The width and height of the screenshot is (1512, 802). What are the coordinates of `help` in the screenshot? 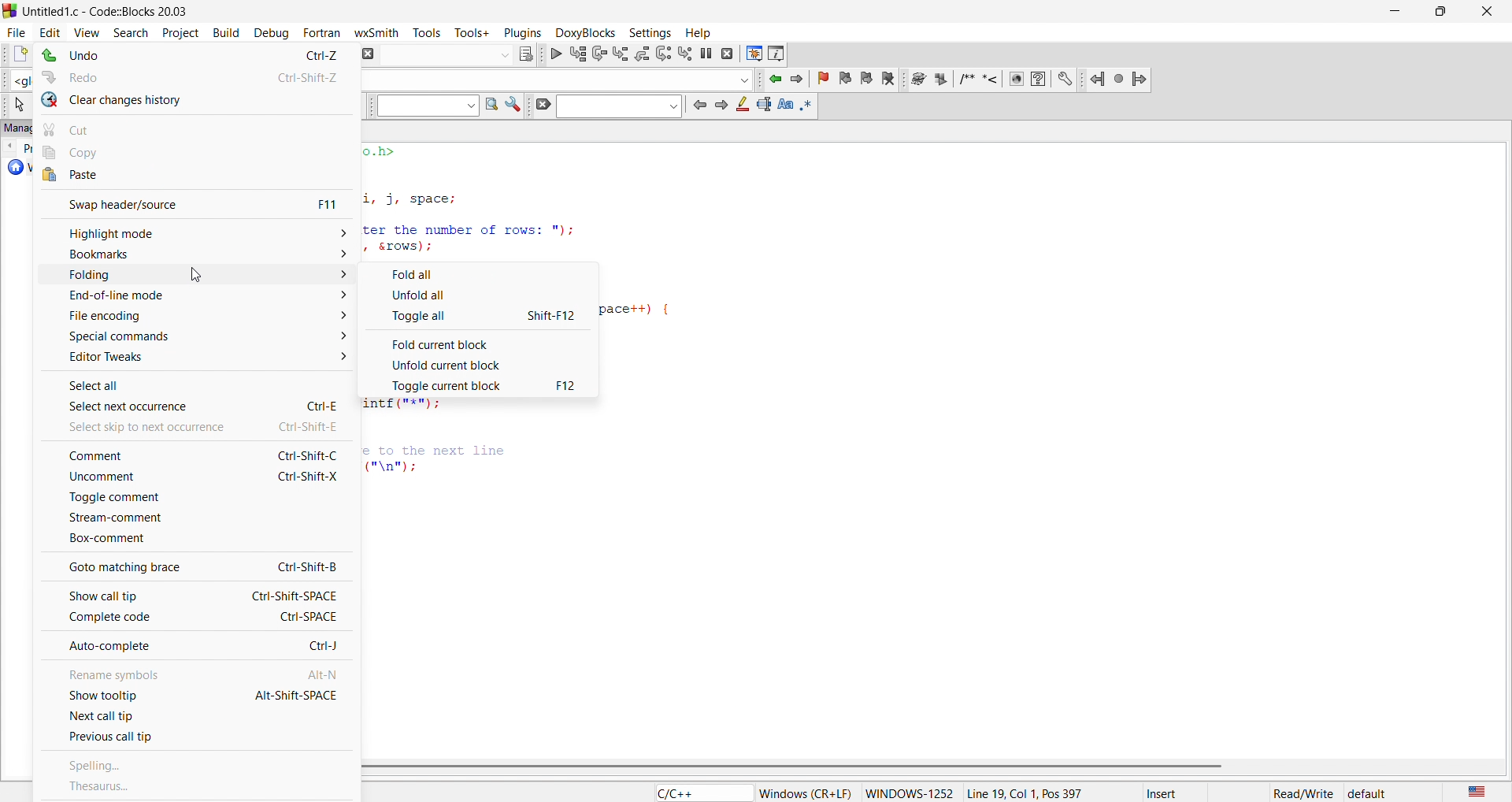 It's located at (1038, 79).